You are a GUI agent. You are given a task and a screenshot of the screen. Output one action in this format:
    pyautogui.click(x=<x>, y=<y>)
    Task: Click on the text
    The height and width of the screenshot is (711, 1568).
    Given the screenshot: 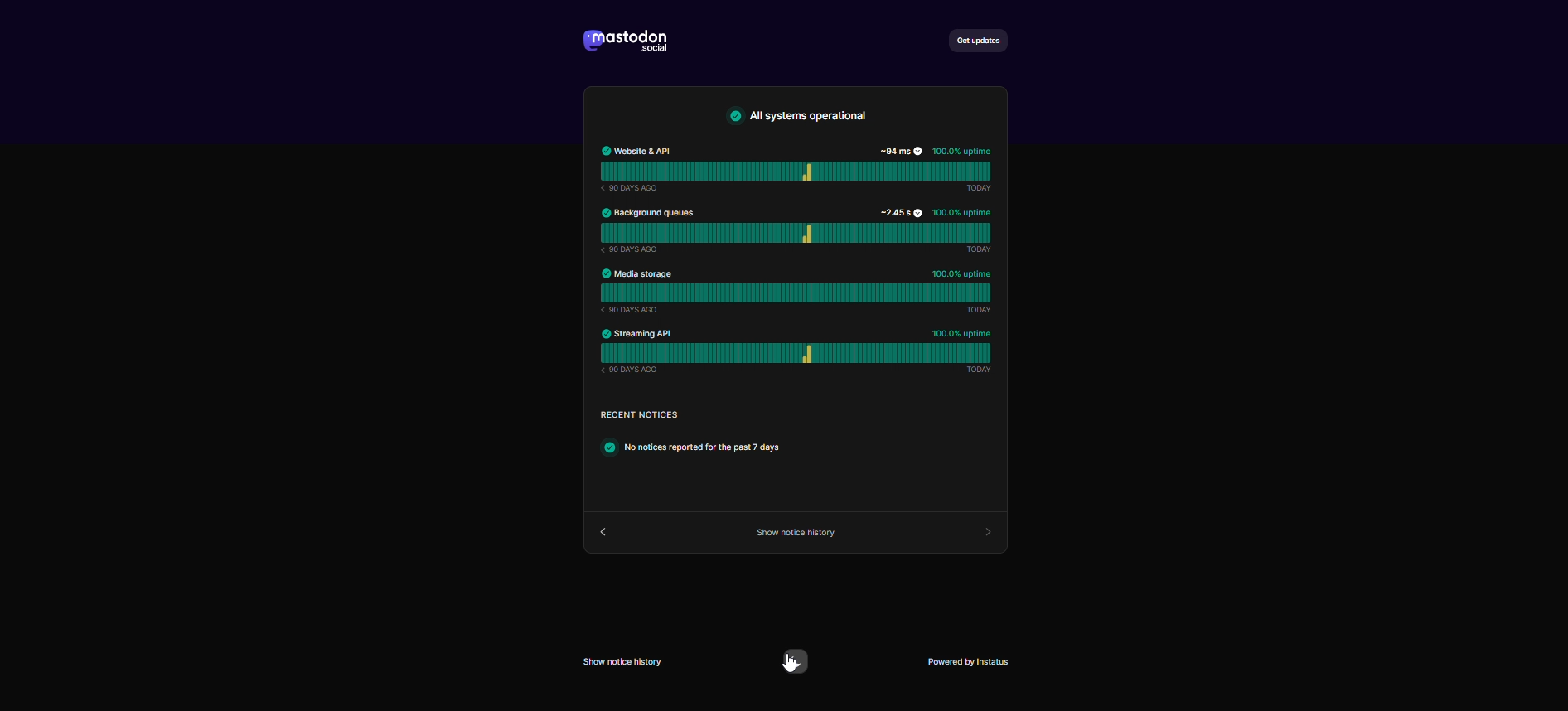 What is the action you would take?
    pyautogui.click(x=771, y=446)
    